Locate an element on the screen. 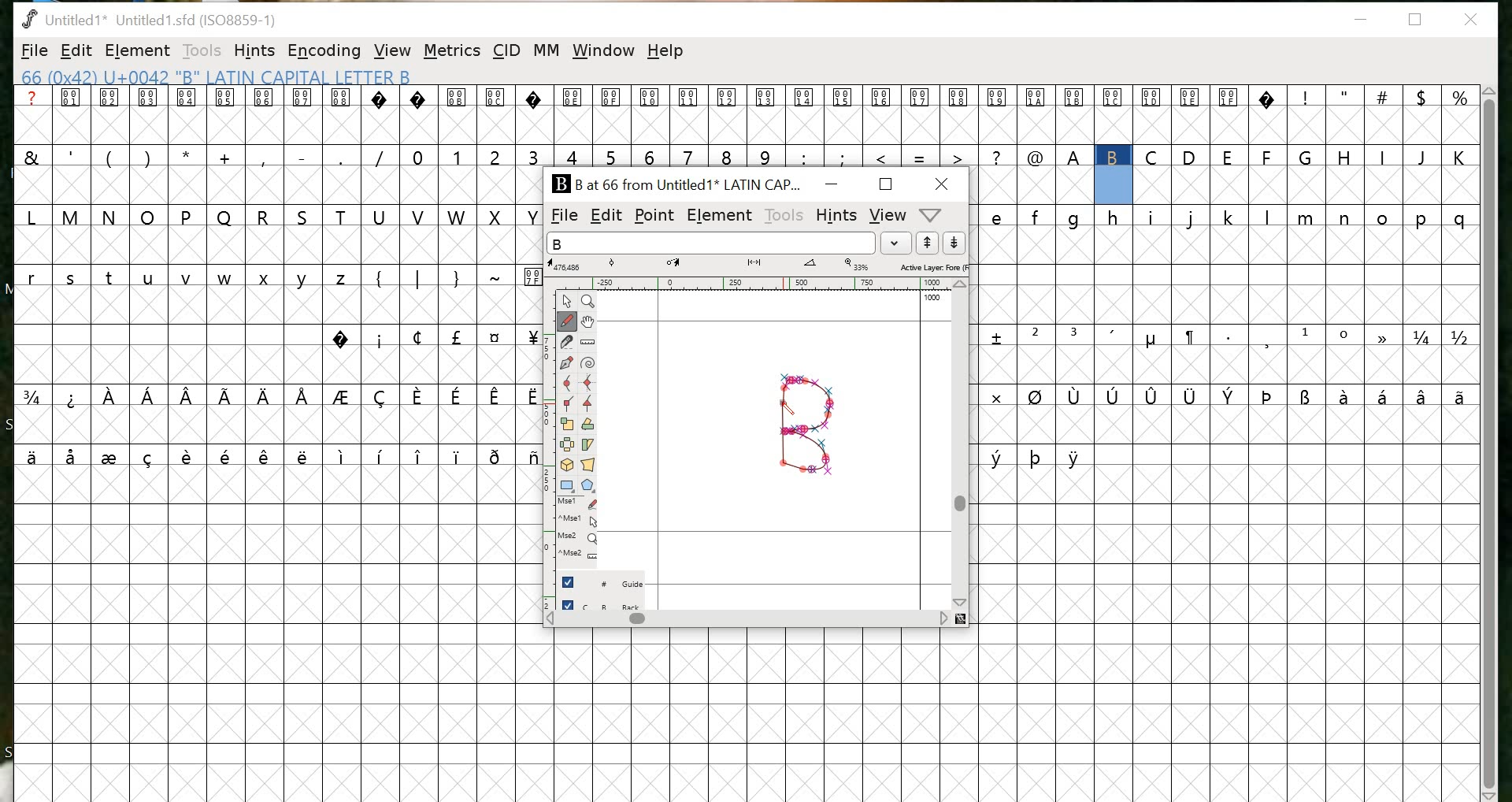 The width and height of the screenshot is (1512, 802). HV Curve is located at coordinates (589, 384).